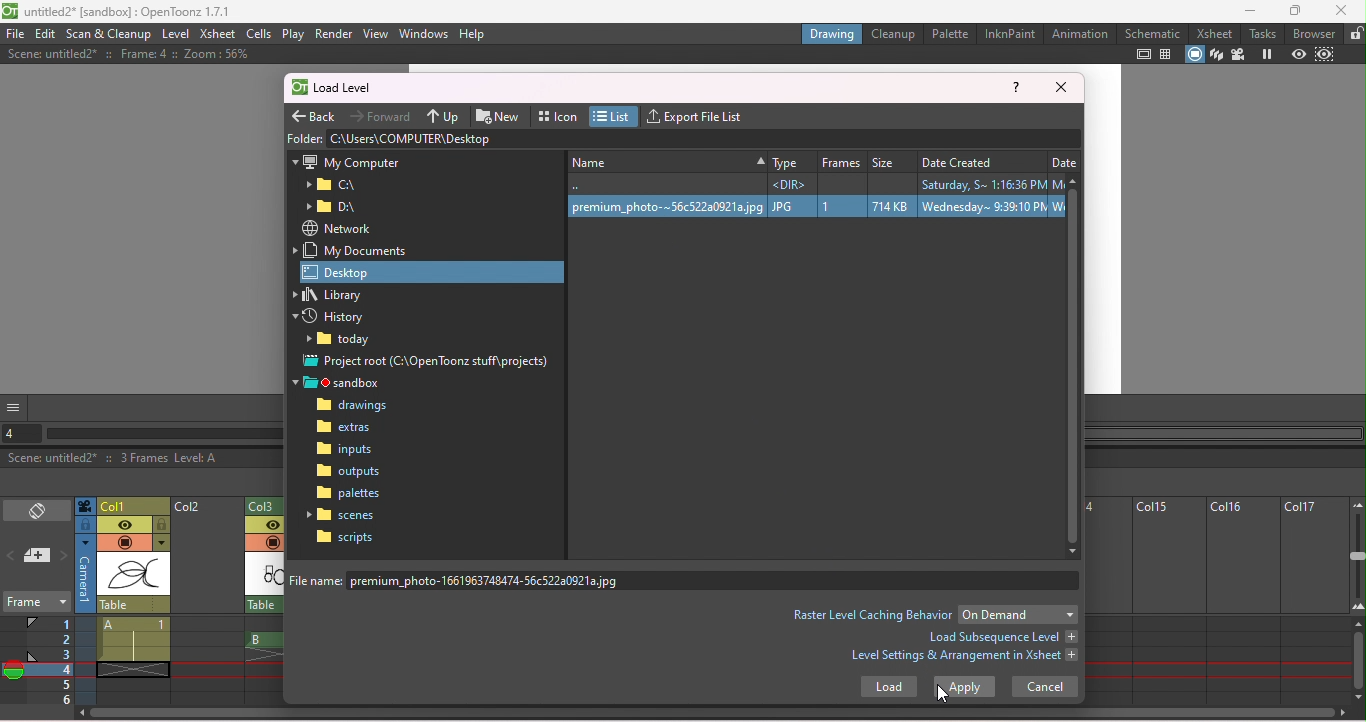 The width and height of the screenshot is (1366, 722). Describe the element at coordinates (717, 715) in the screenshot. I see `Horizontal scroll bar` at that location.